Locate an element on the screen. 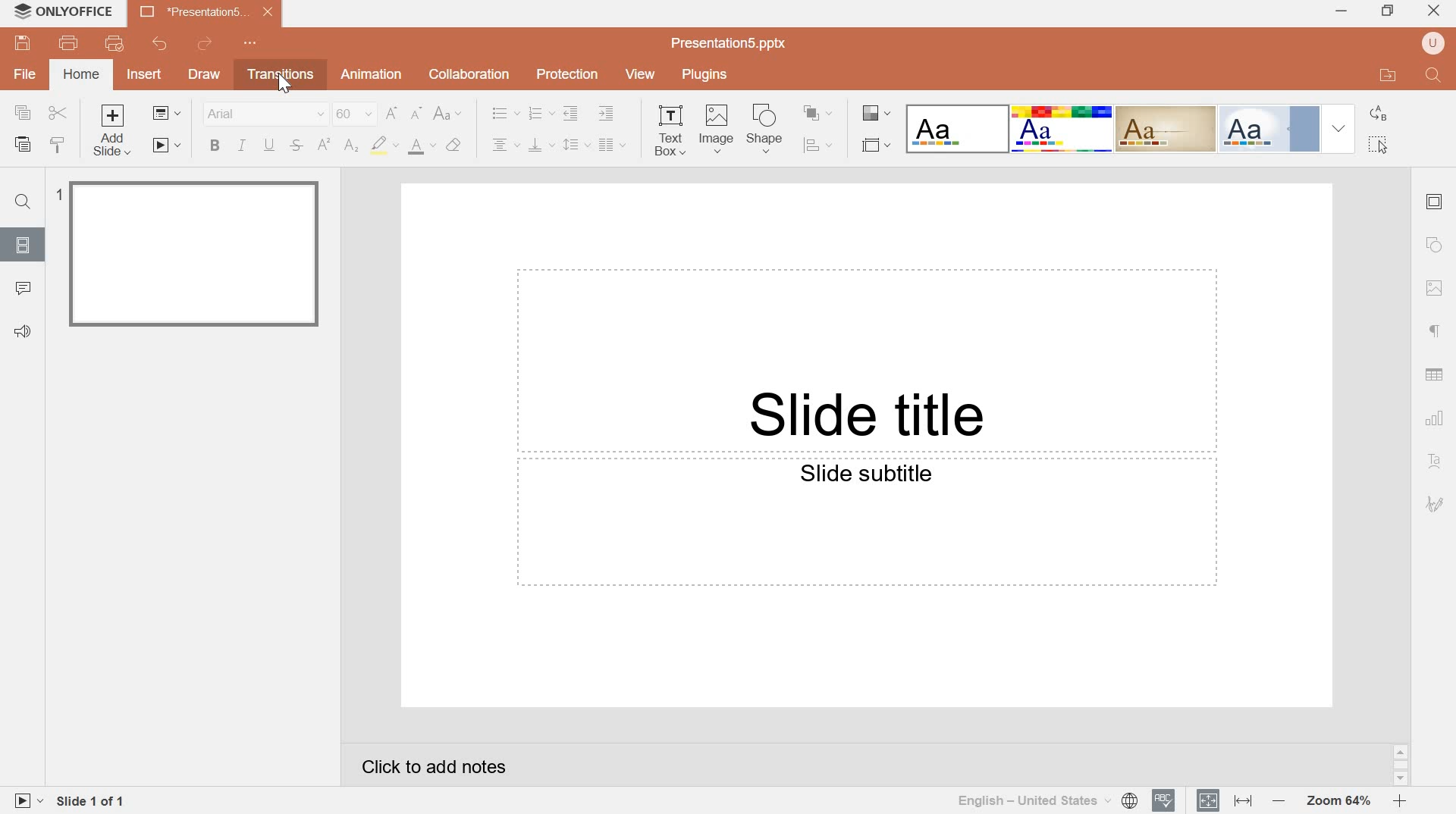  subscript is located at coordinates (353, 146).